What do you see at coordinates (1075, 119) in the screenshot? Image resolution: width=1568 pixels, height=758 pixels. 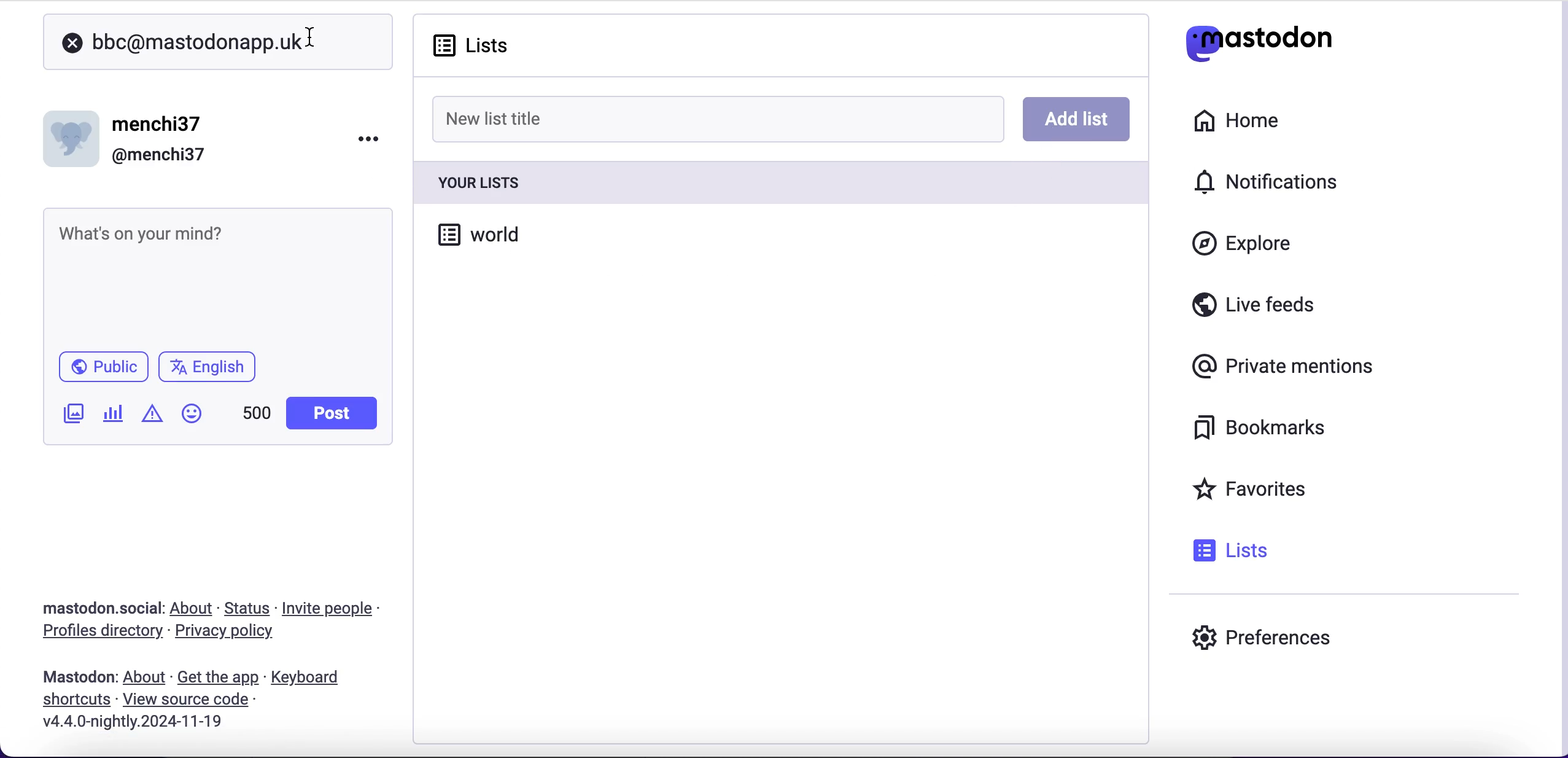 I see `add` at bounding box center [1075, 119].